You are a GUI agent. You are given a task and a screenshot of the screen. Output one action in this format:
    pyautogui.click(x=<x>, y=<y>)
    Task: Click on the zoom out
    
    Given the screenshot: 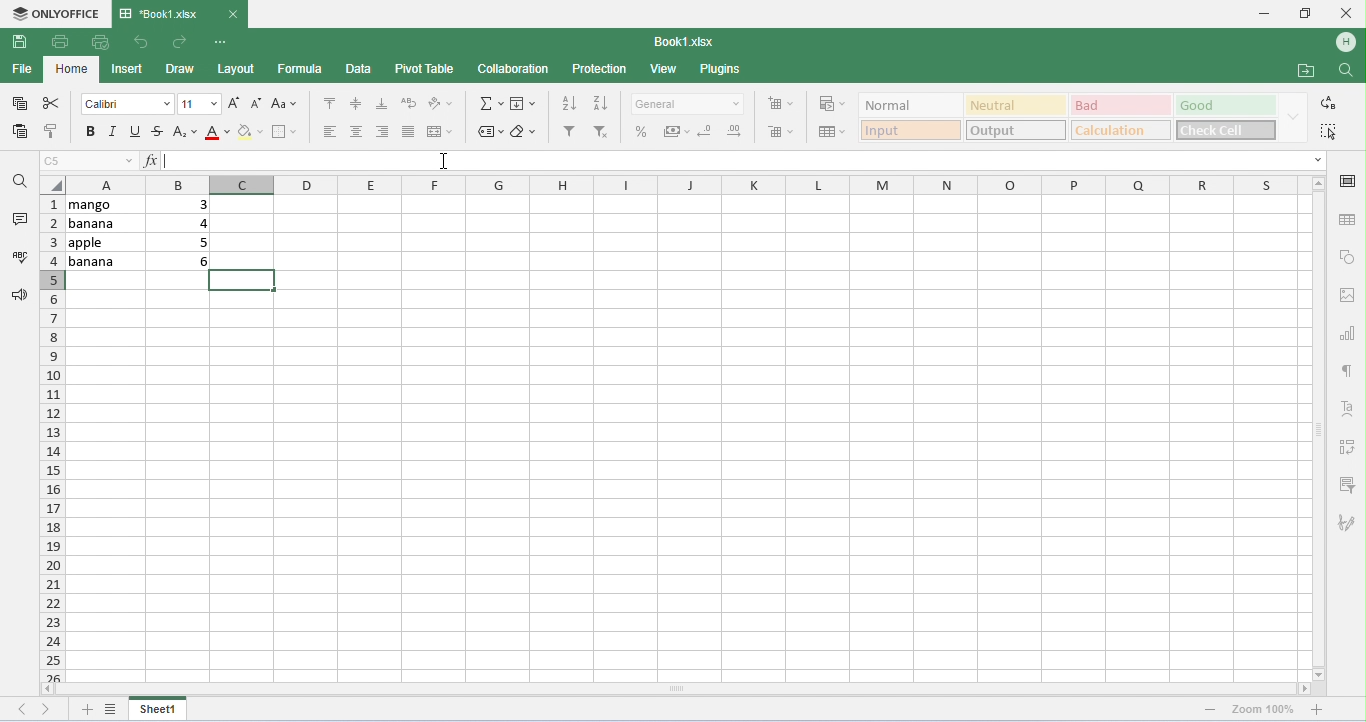 What is the action you would take?
    pyautogui.click(x=1318, y=709)
    